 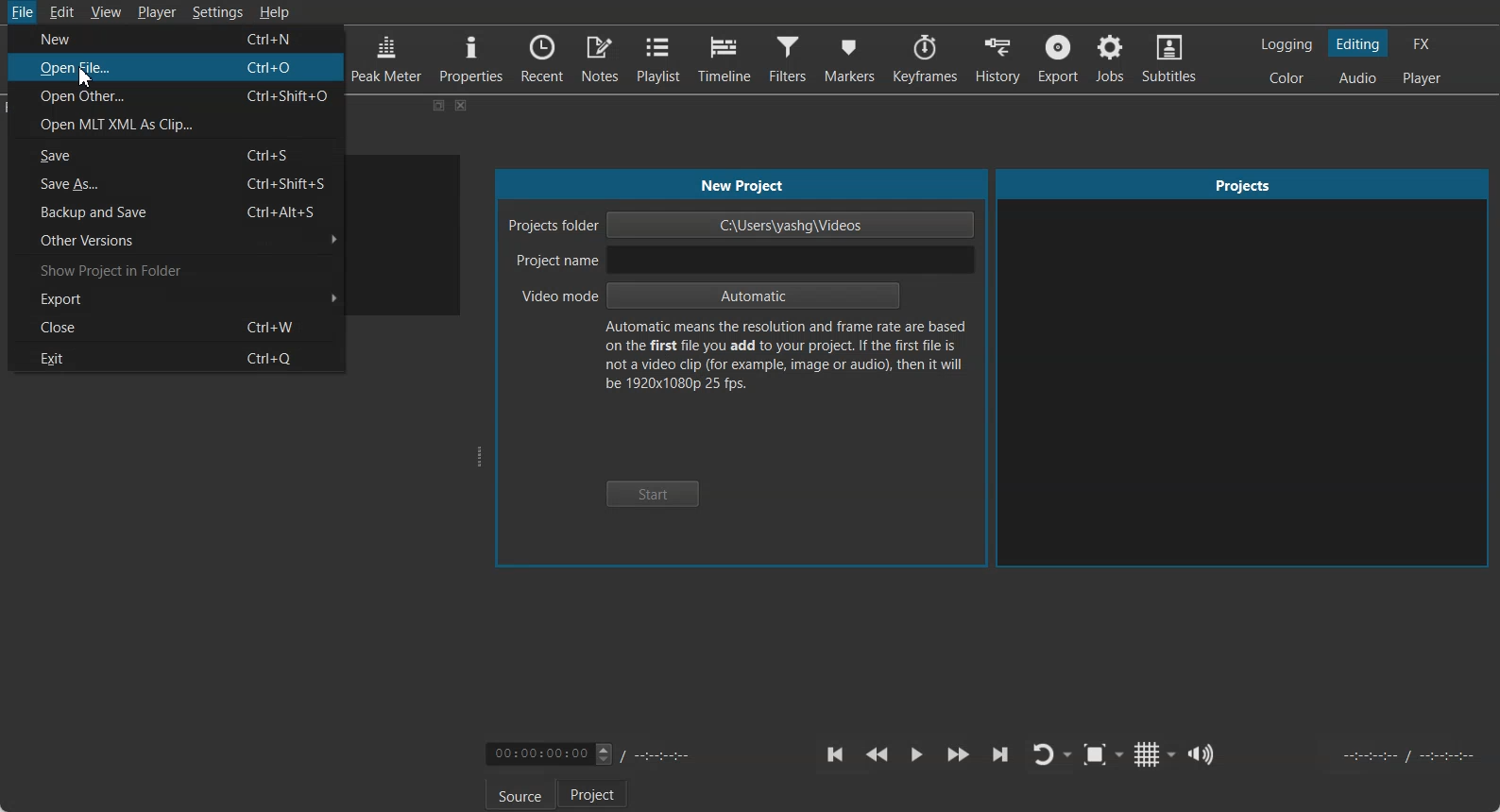 What do you see at coordinates (594, 793) in the screenshot?
I see `Project` at bounding box center [594, 793].